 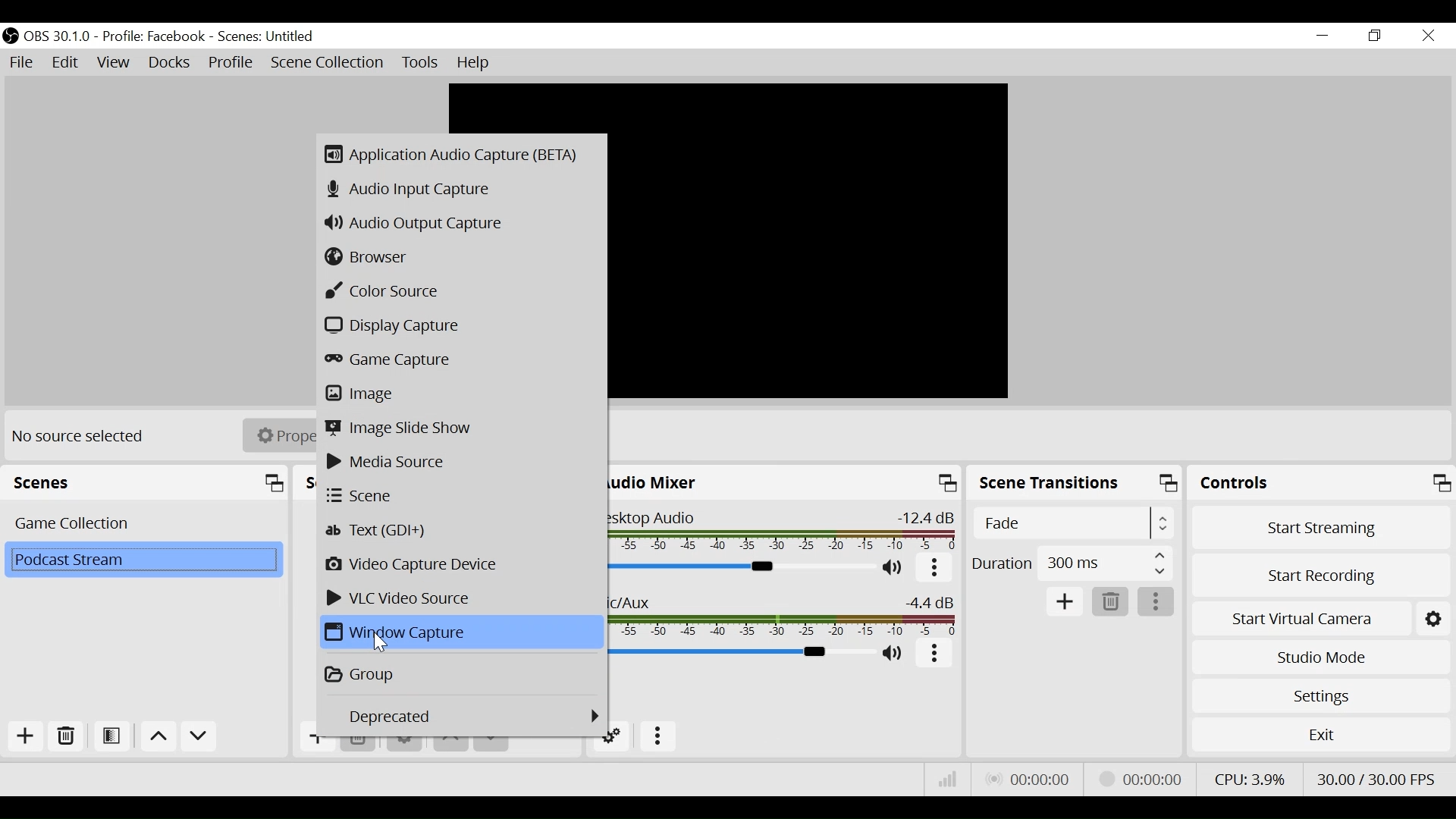 I want to click on Mic/Aux, so click(x=743, y=651).